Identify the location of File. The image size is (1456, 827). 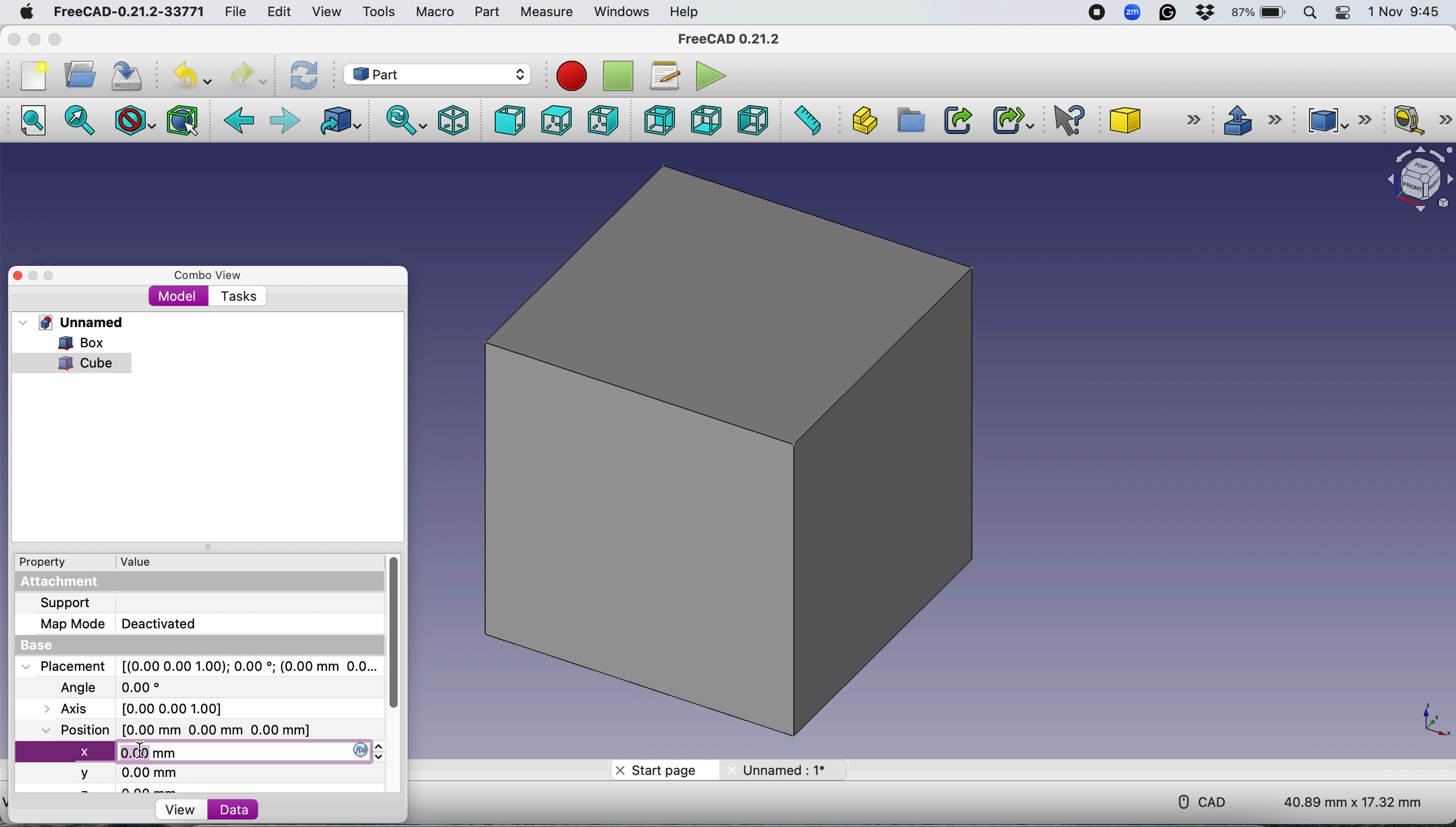
(232, 12).